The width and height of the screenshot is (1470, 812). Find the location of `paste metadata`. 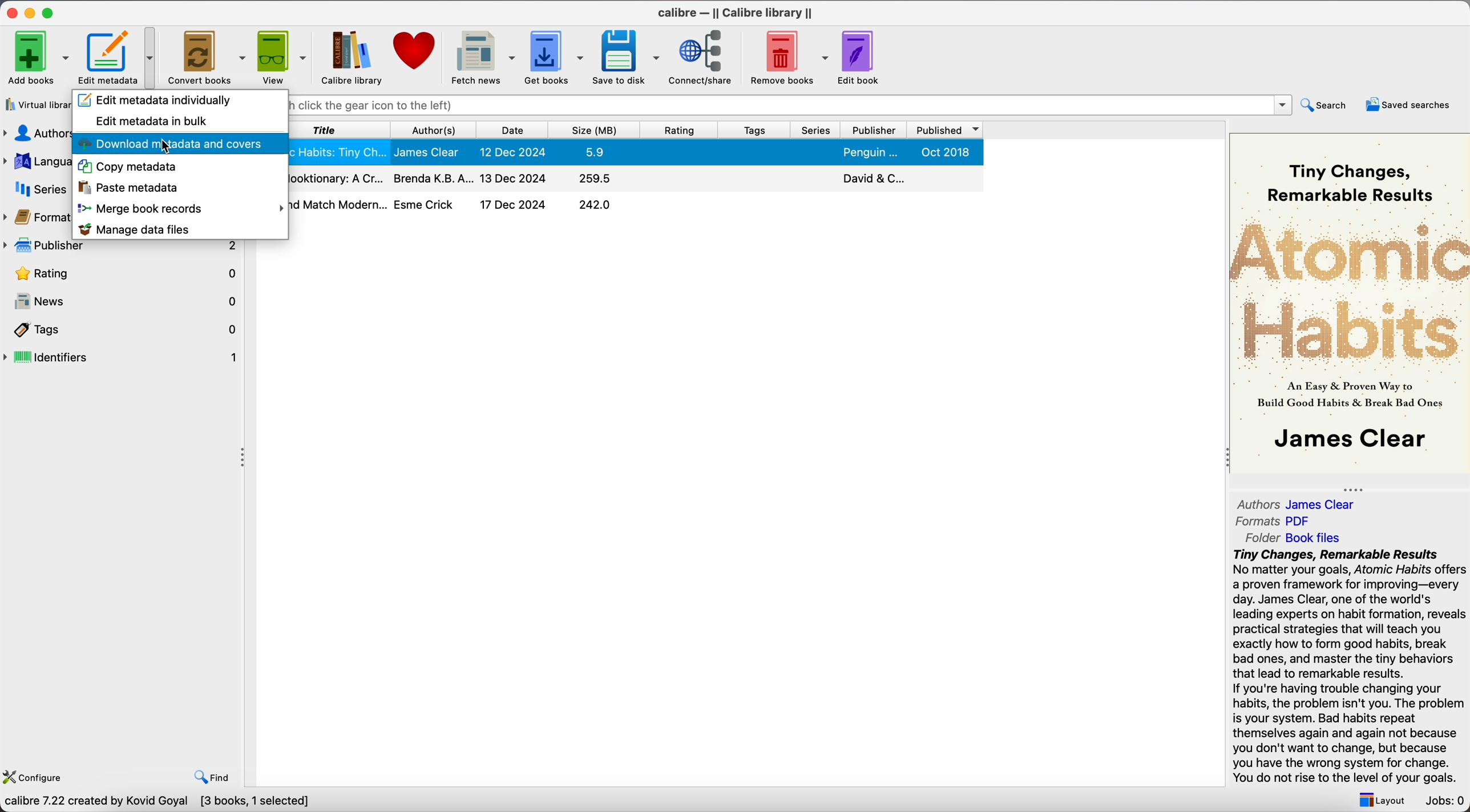

paste metadata is located at coordinates (130, 189).